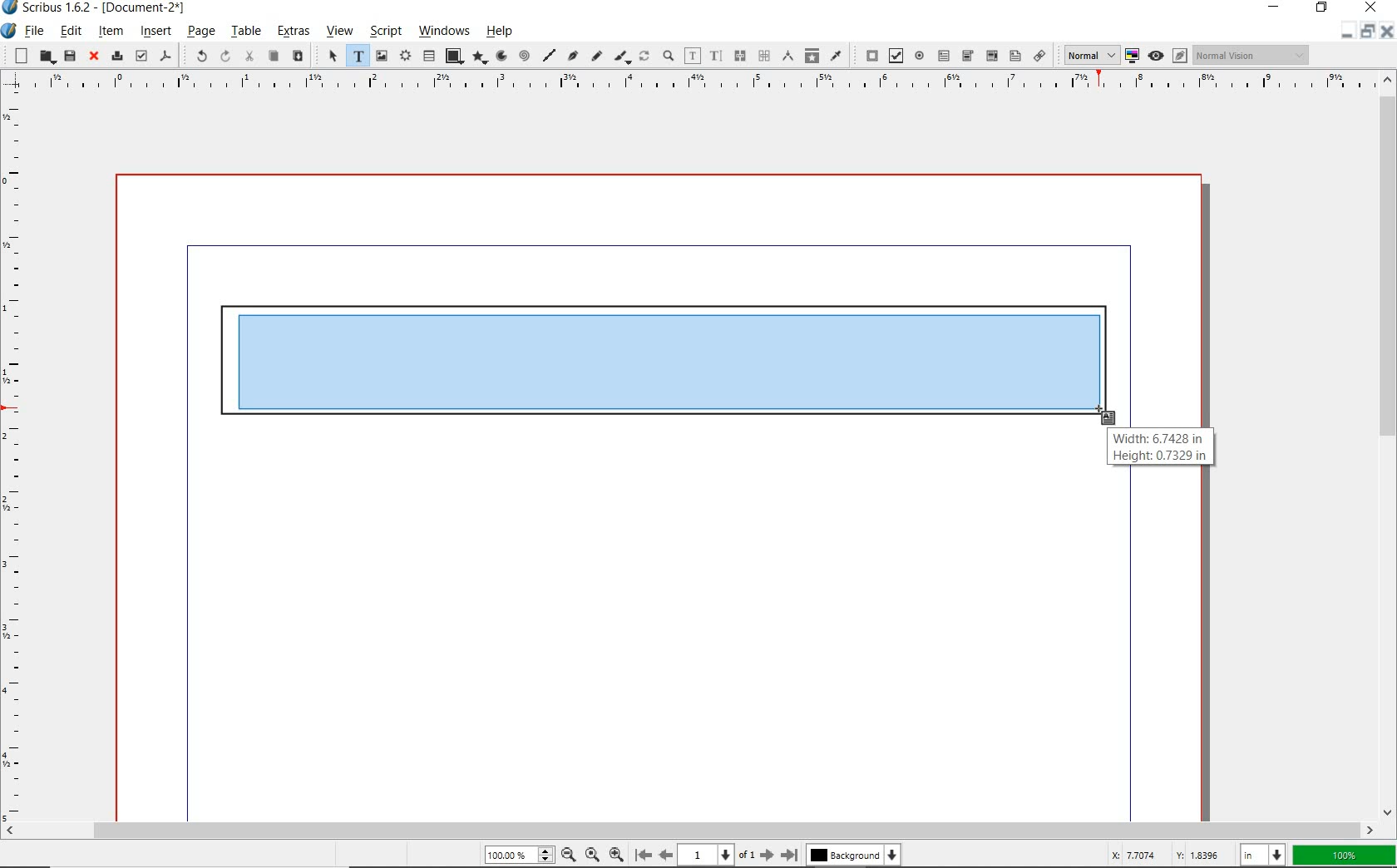  What do you see at coordinates (738, 57) in the screenshot?
I see `unlink text frames` at bounding box center [738, 57].